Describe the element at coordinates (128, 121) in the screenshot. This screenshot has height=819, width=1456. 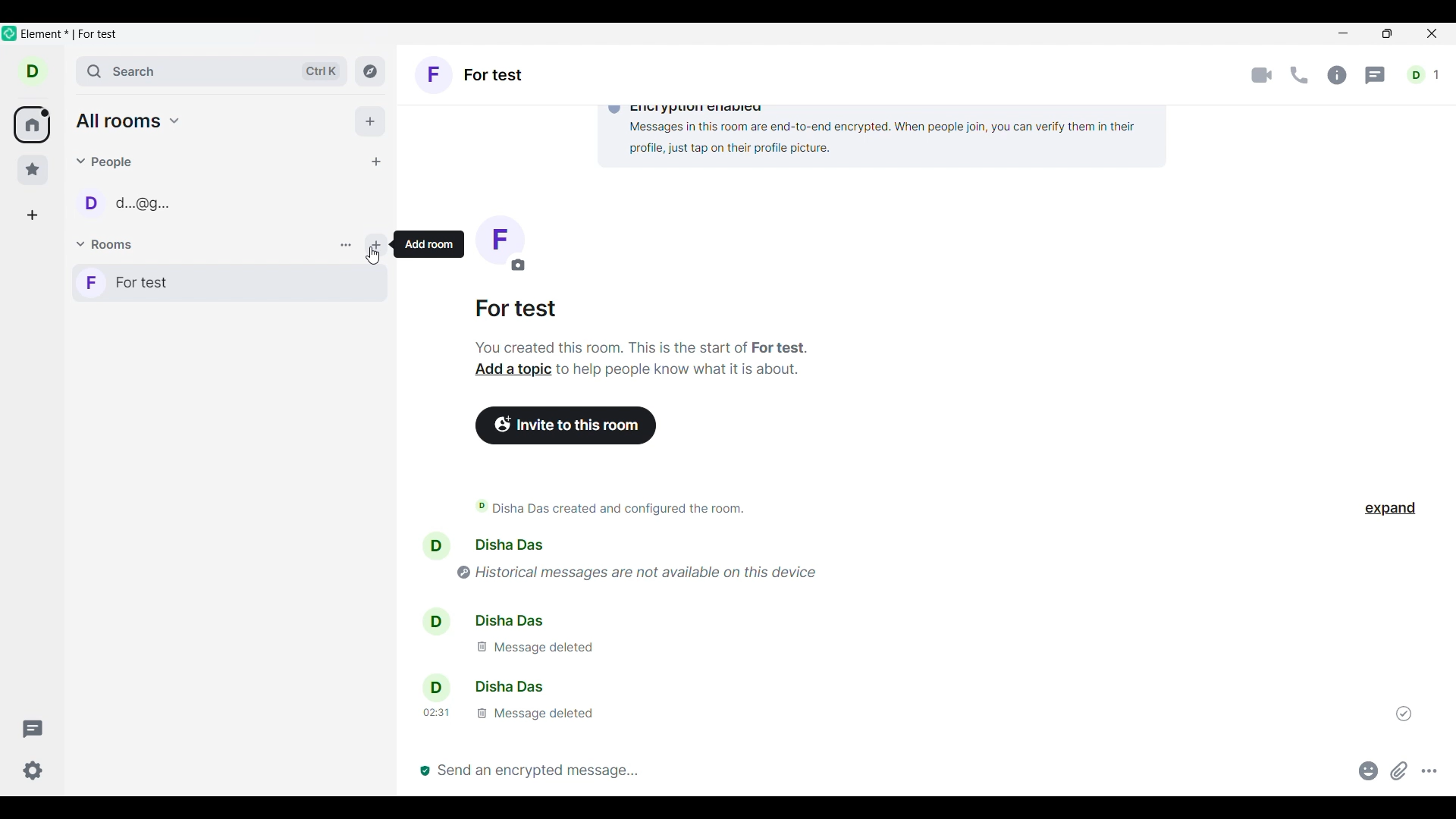
I see `All rooms` at that location.